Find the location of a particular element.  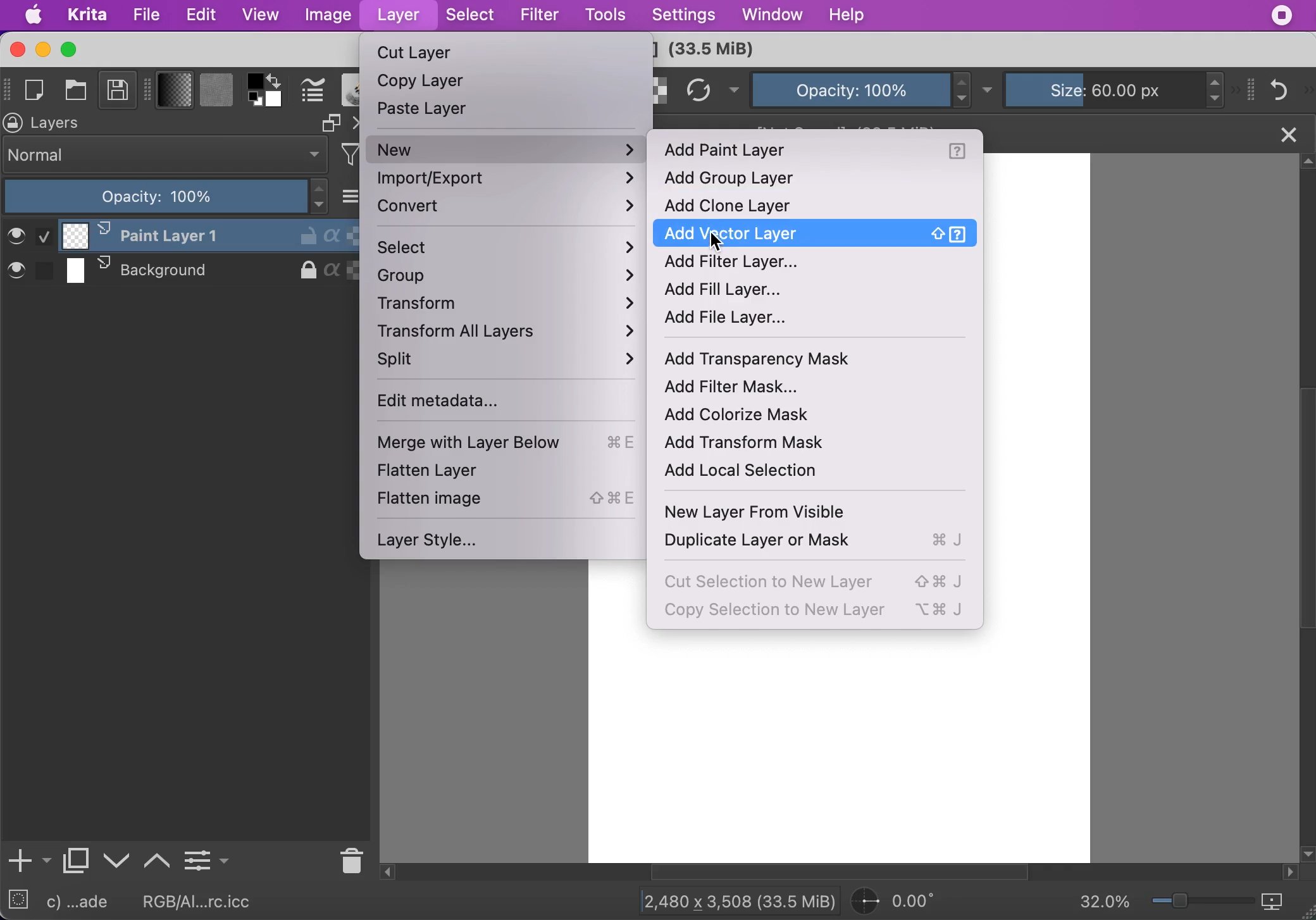

2,480*3,505 (33.5 MiB) is located at coordinates (728, 900).